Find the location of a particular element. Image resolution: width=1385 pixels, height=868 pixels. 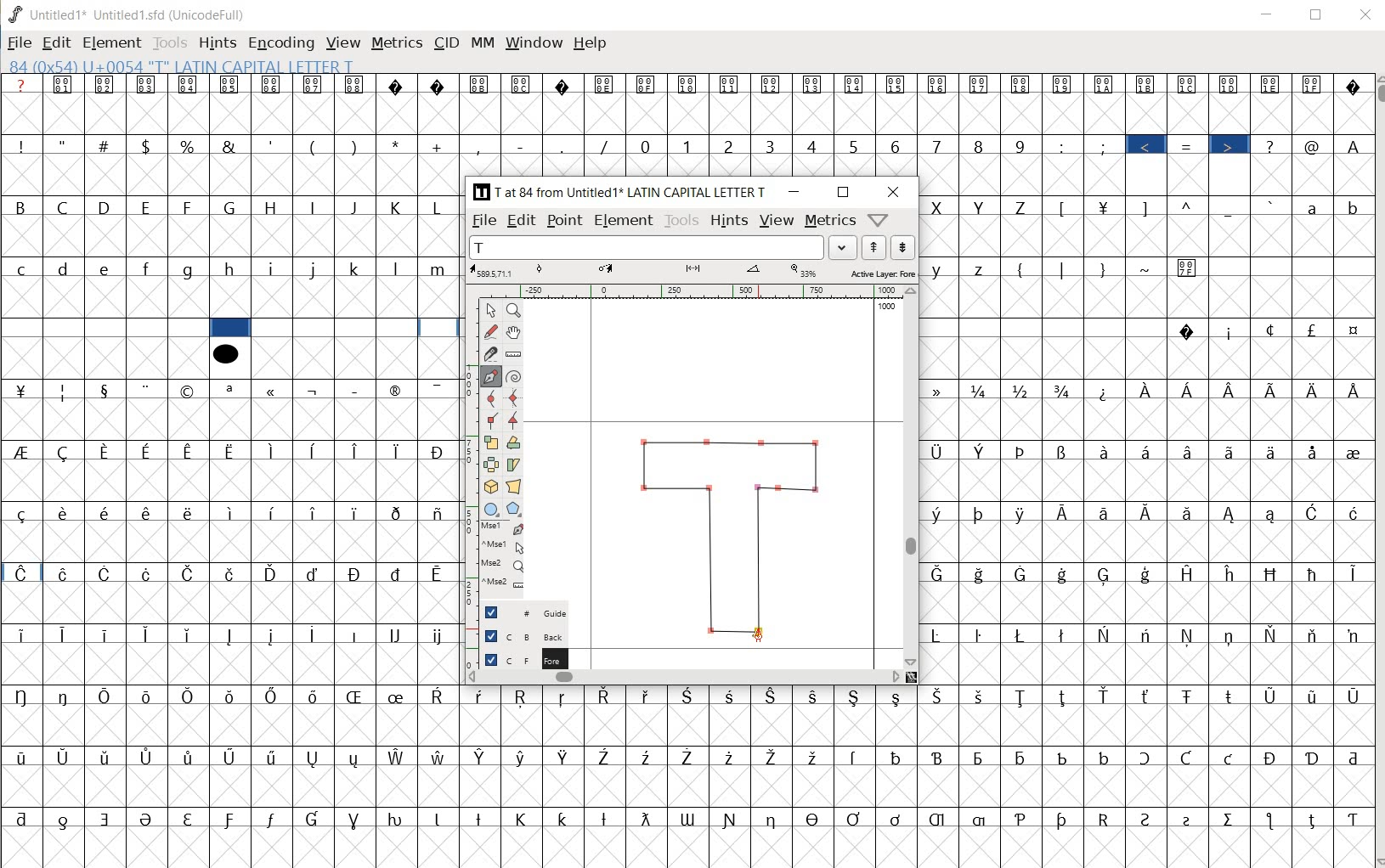

empty spaces is located at coordinates (1046, 329).